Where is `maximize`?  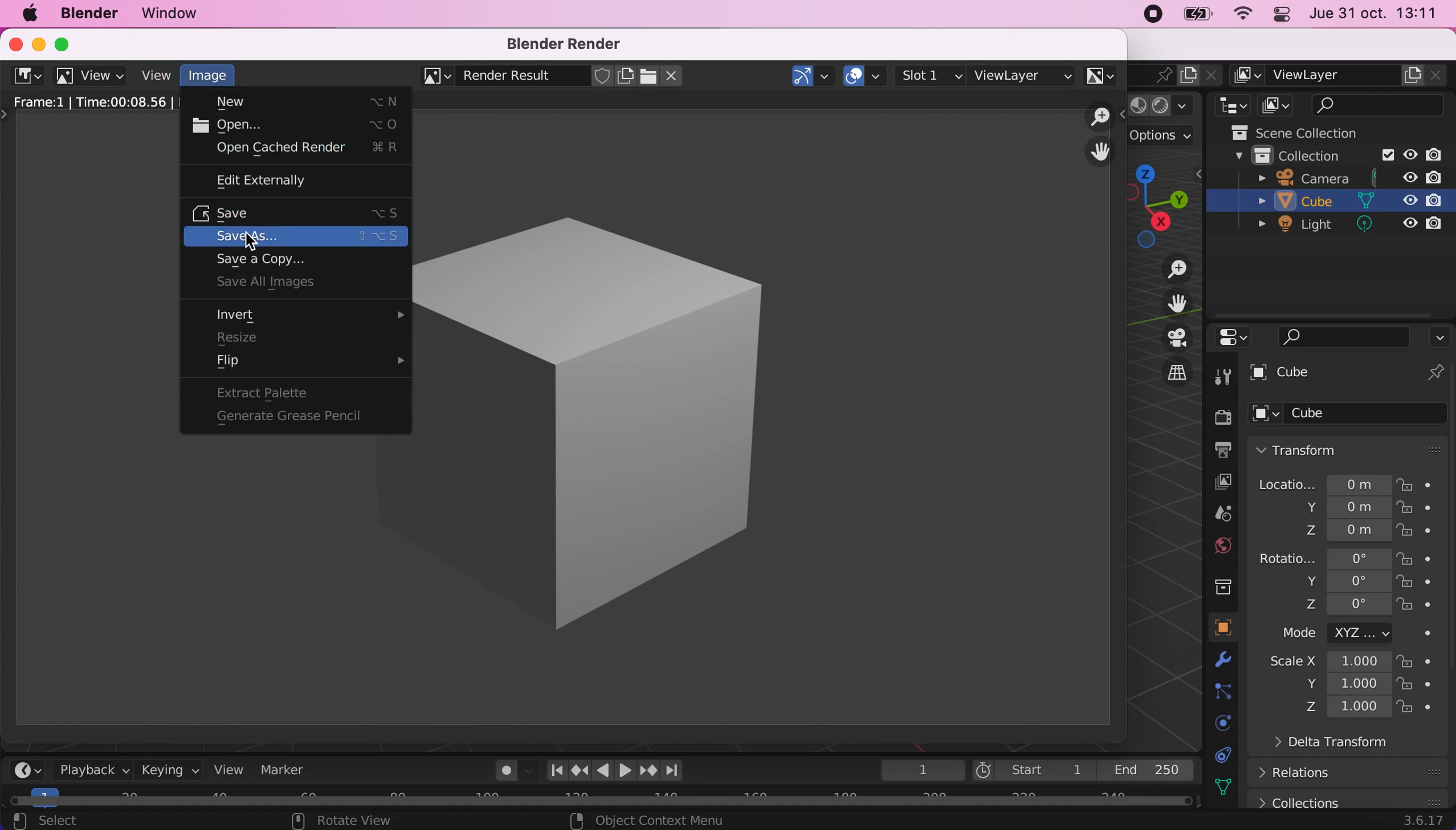
maximize is located at coordinates (66, 42).